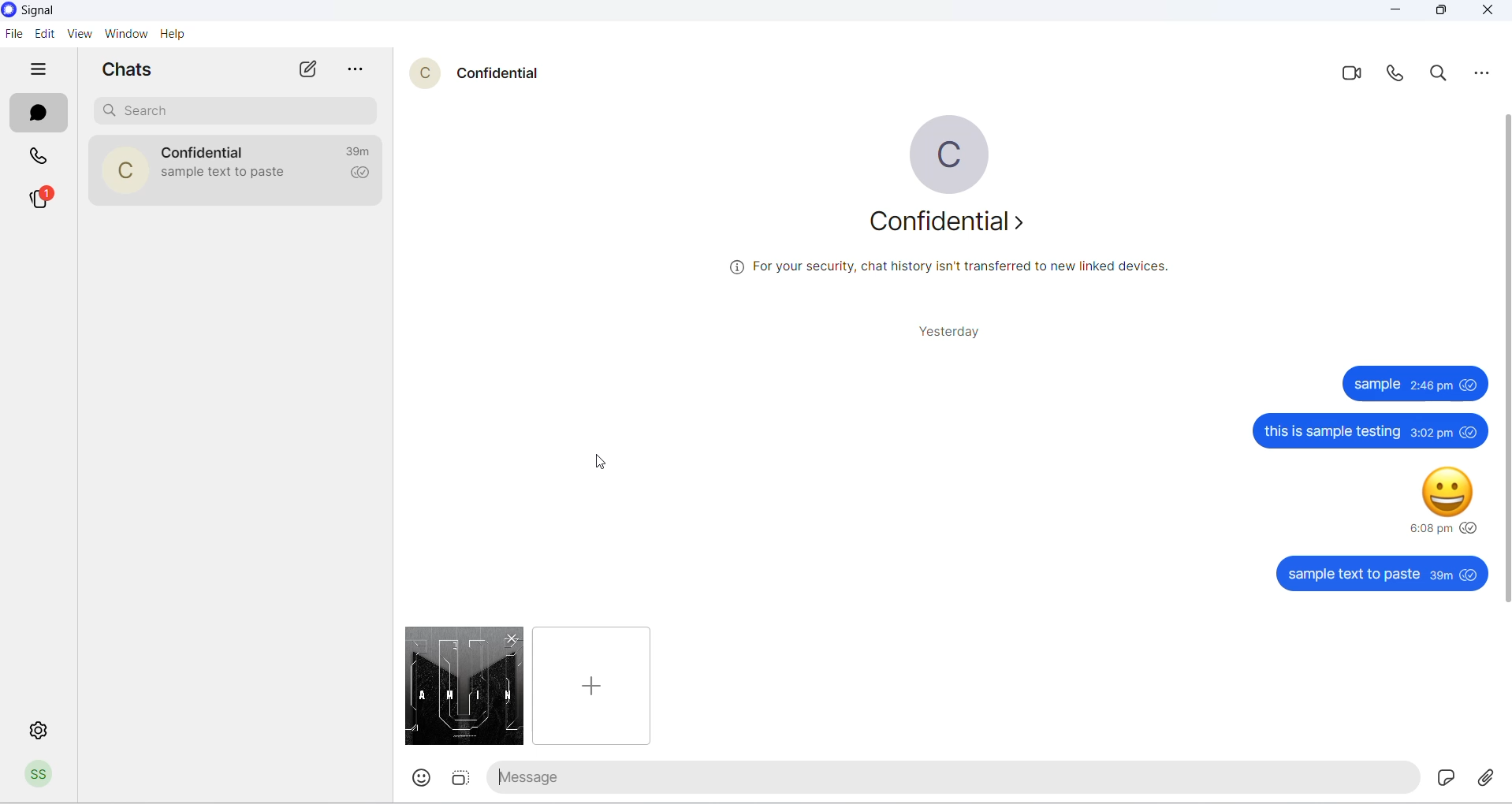 The width and height of the screenshot is (1512, 804). I want to click on new chat, so click(311, 70).